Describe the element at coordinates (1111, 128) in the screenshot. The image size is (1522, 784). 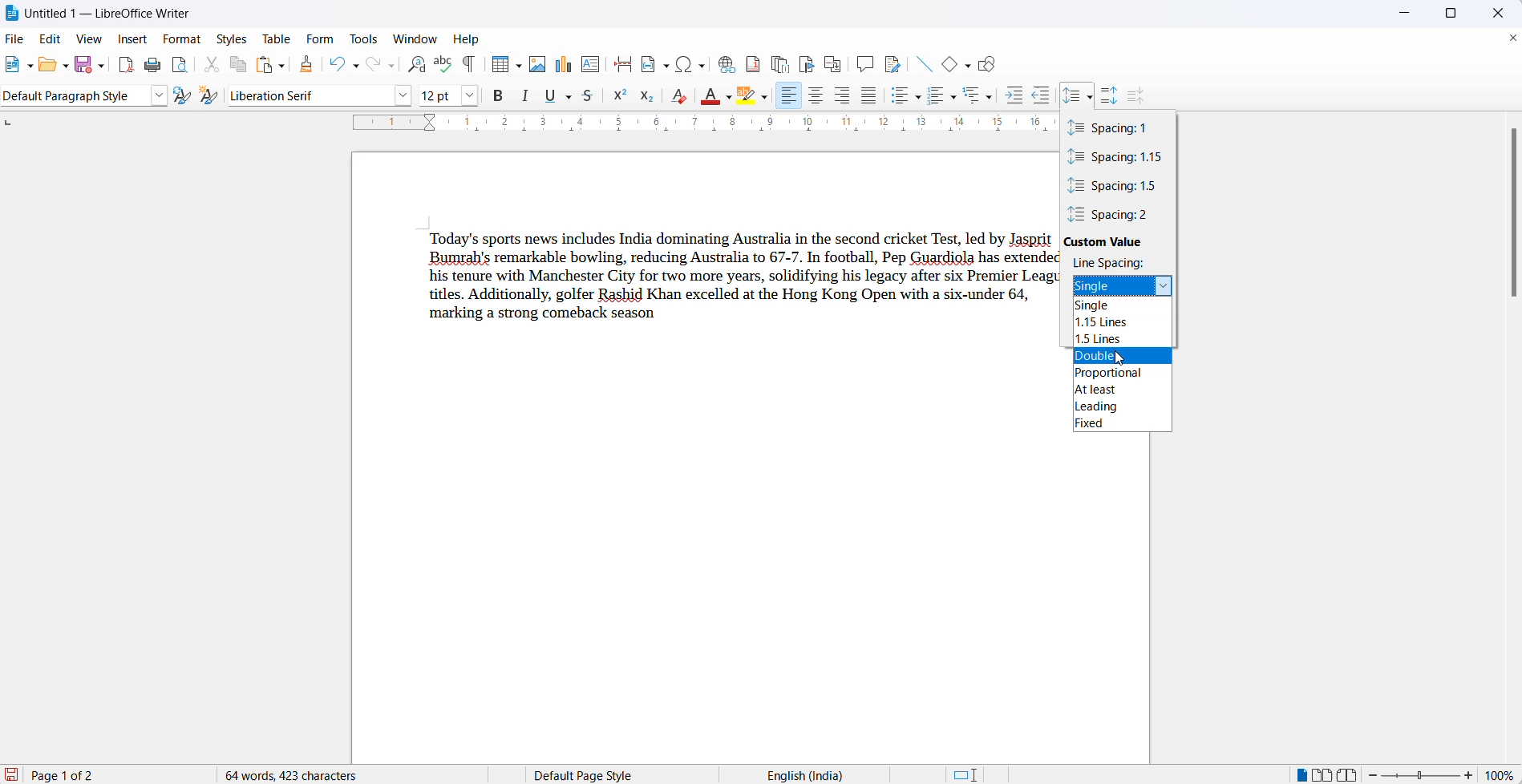
I see `spacing with value 1` at that location.